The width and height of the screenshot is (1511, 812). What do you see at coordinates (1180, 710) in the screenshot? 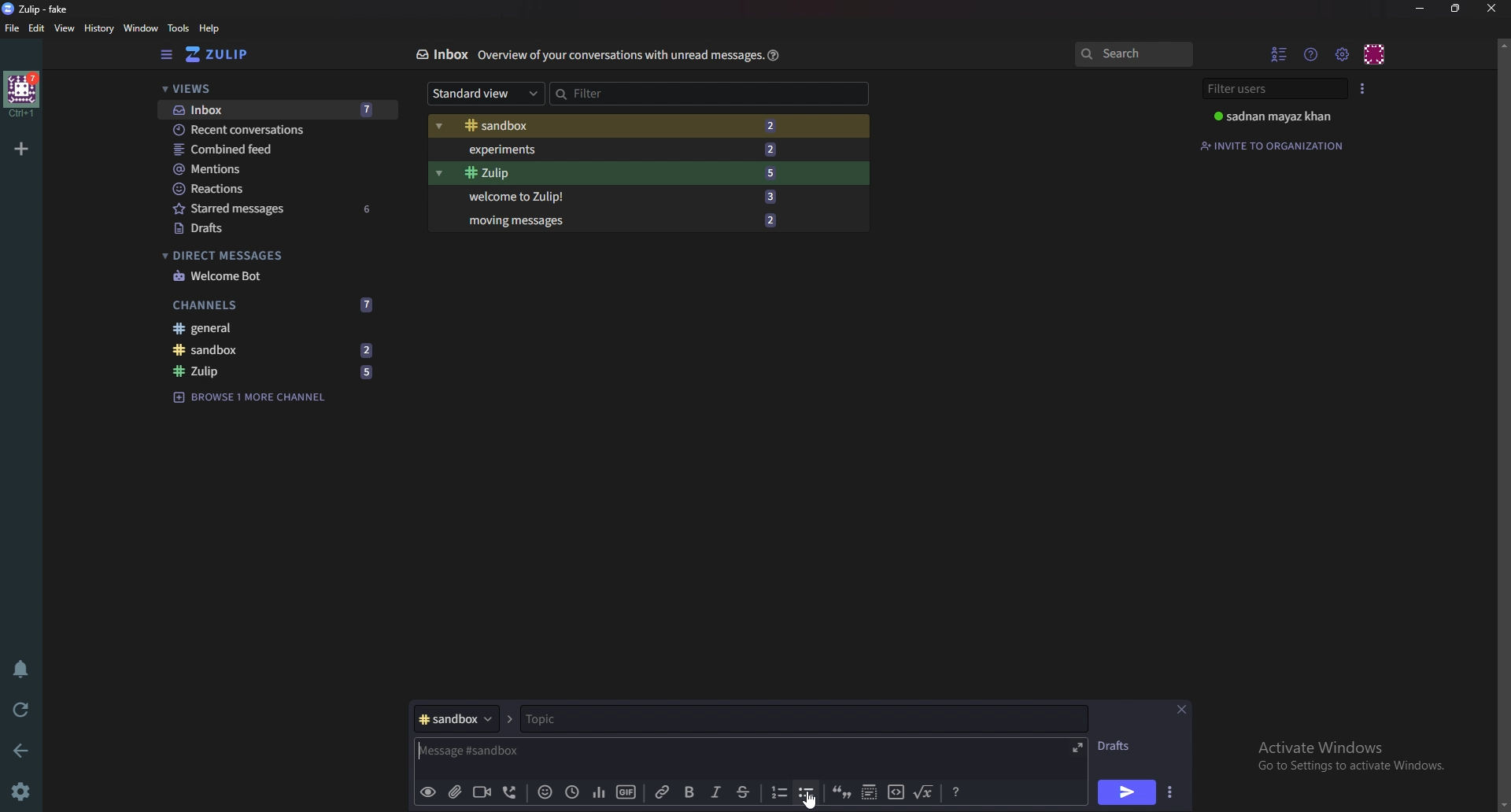
I see `Close message` at bounding box center [1180, 710].